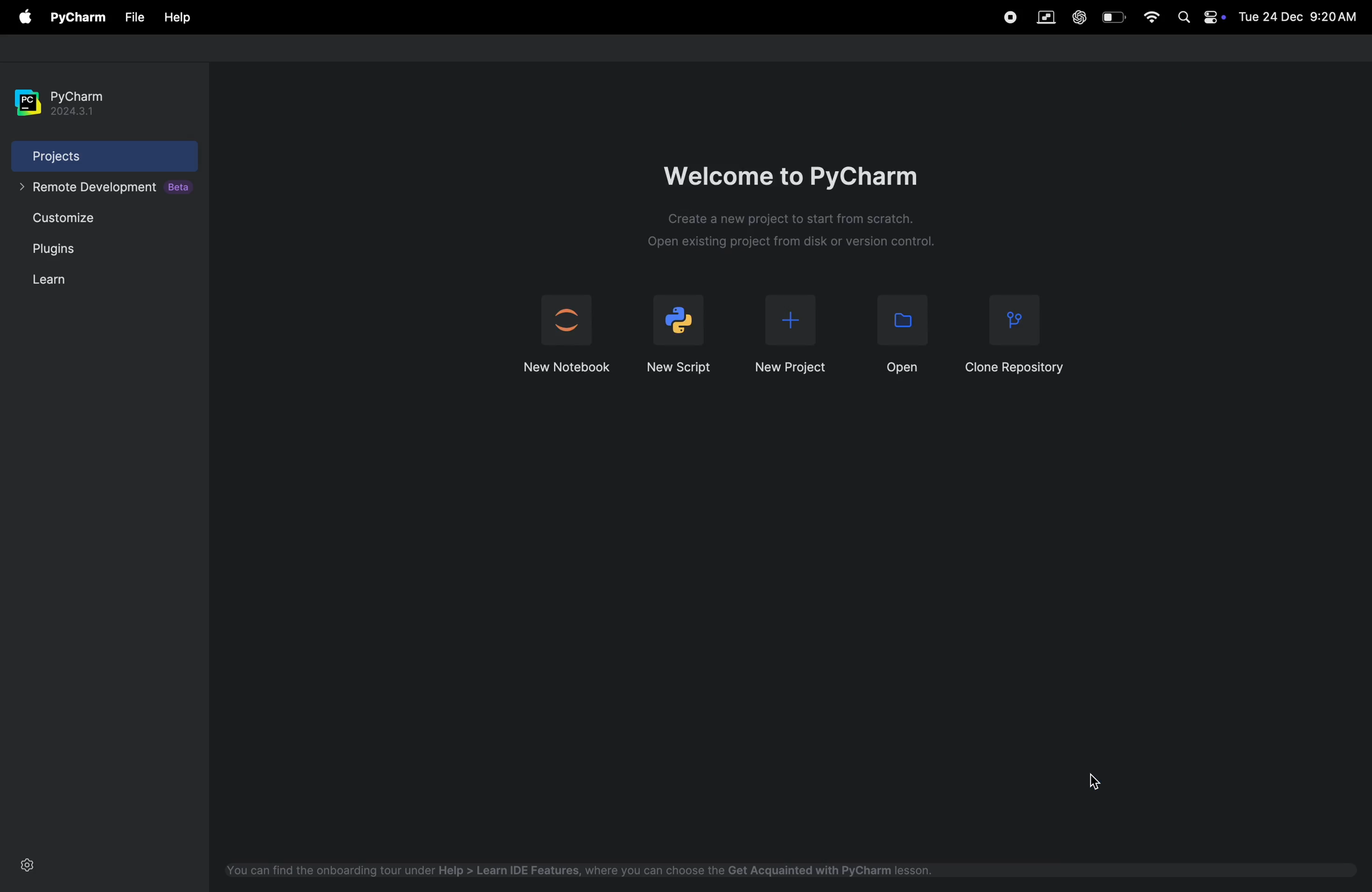 This screenshot has width=1372, height=892. Describe the element at coordinates (1152, 17) in the screenshot. I see `wifi` at that location.